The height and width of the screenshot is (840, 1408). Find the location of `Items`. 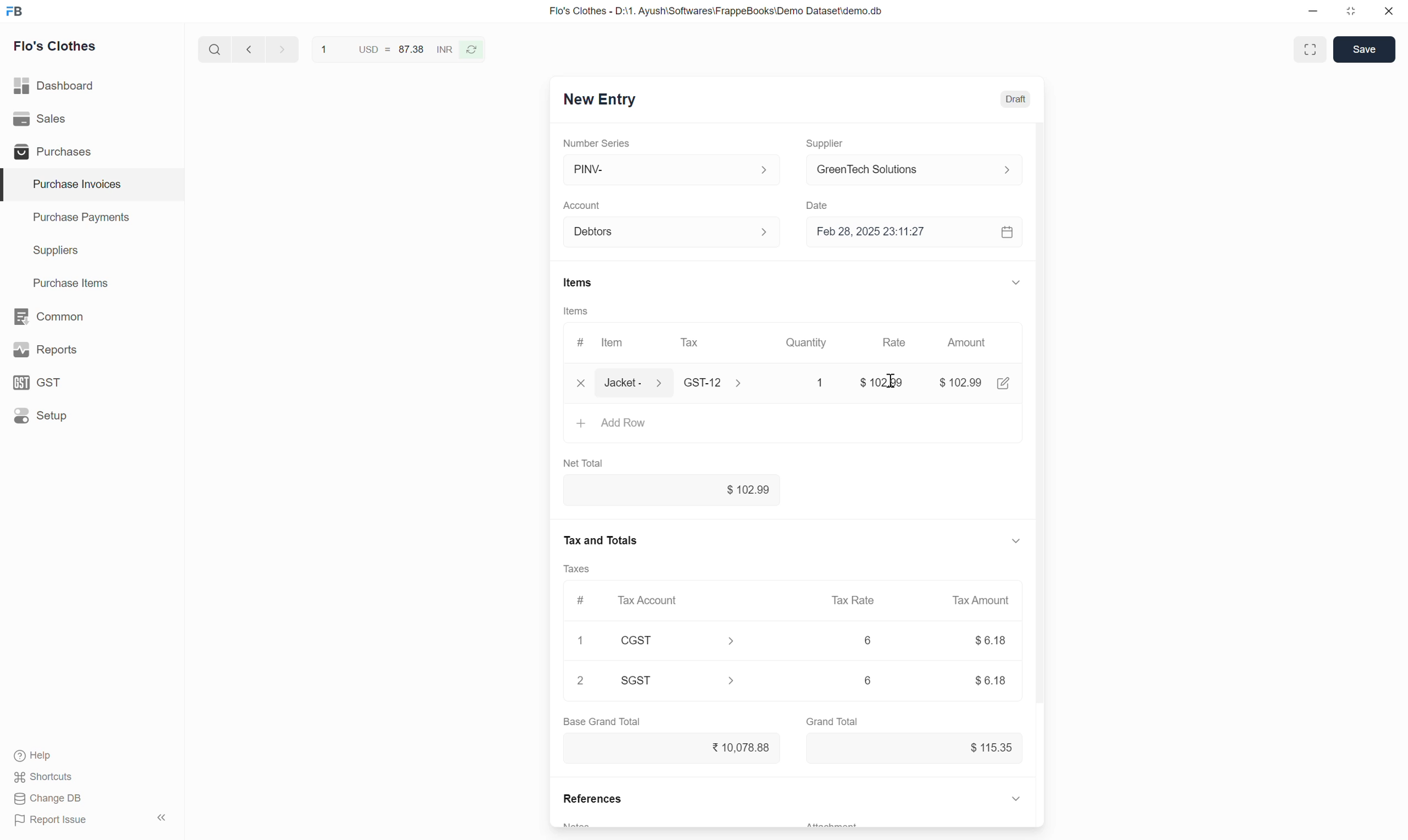

Items is located at coordinates (579, 282).